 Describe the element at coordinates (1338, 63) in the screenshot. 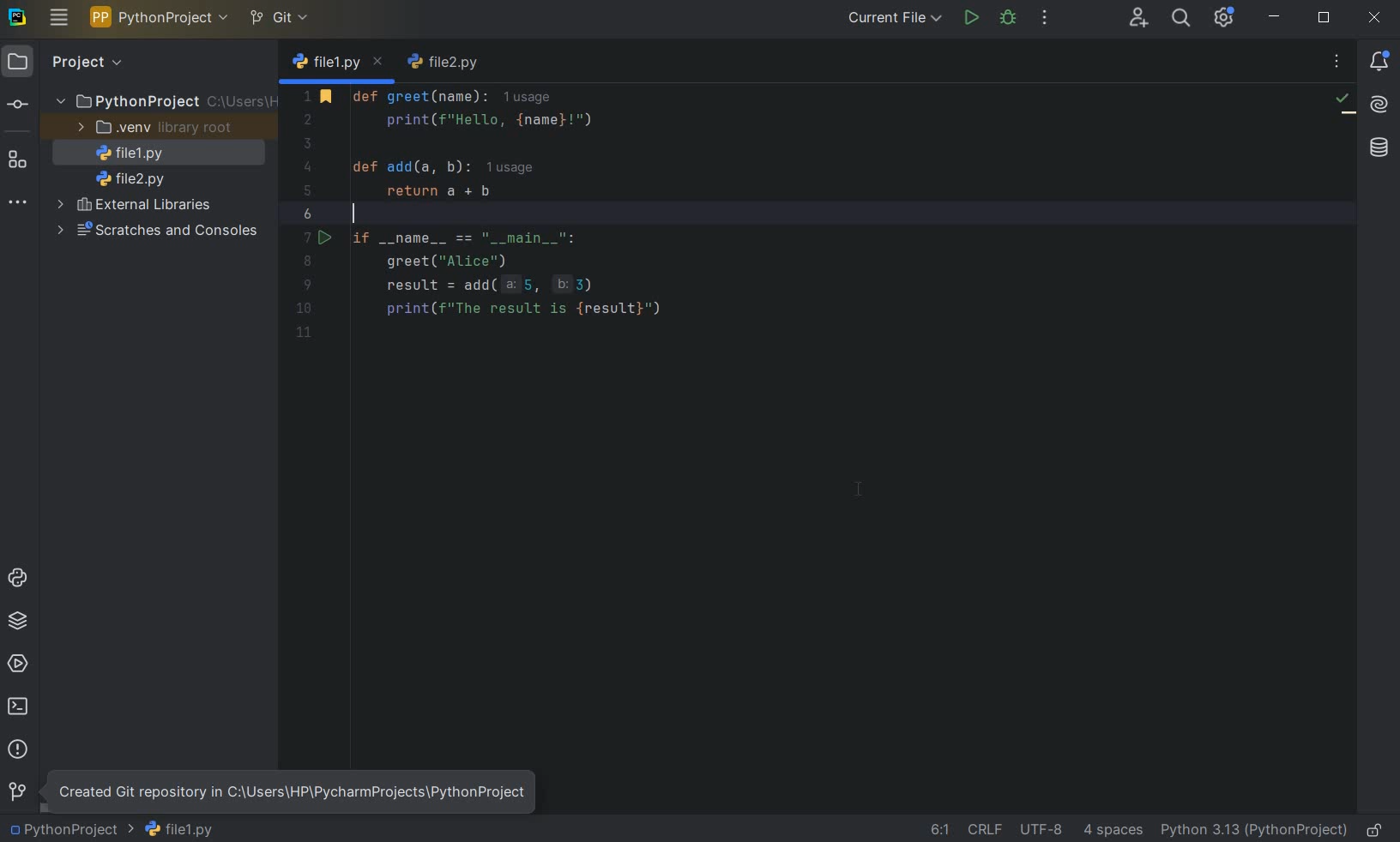

I see `recent files, tab actions` at that location.